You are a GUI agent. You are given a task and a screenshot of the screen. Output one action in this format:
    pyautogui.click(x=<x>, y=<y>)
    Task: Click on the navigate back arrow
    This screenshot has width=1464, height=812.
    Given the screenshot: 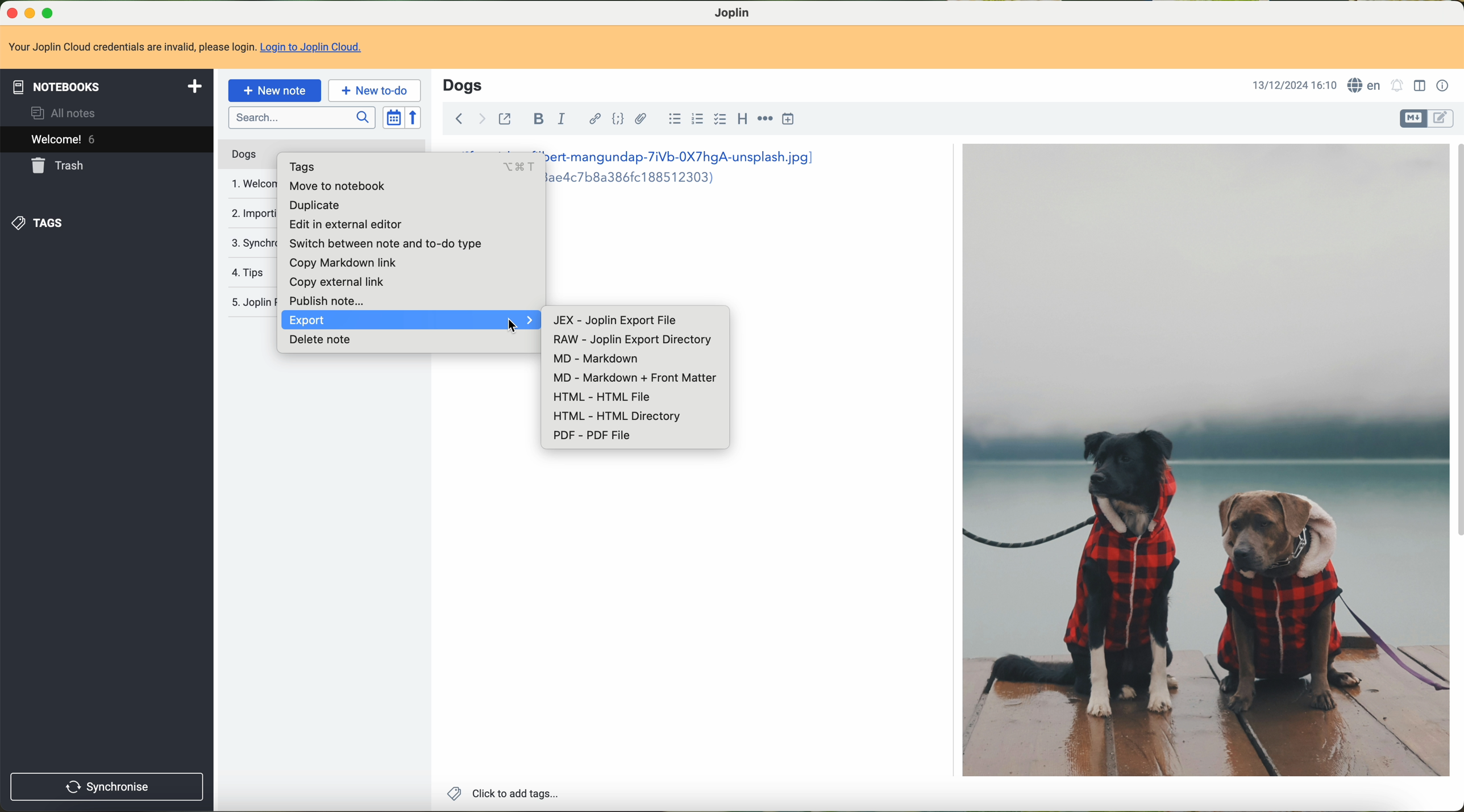 What is the action you would take?
    pyautogui.click(x=457, y=117)
    